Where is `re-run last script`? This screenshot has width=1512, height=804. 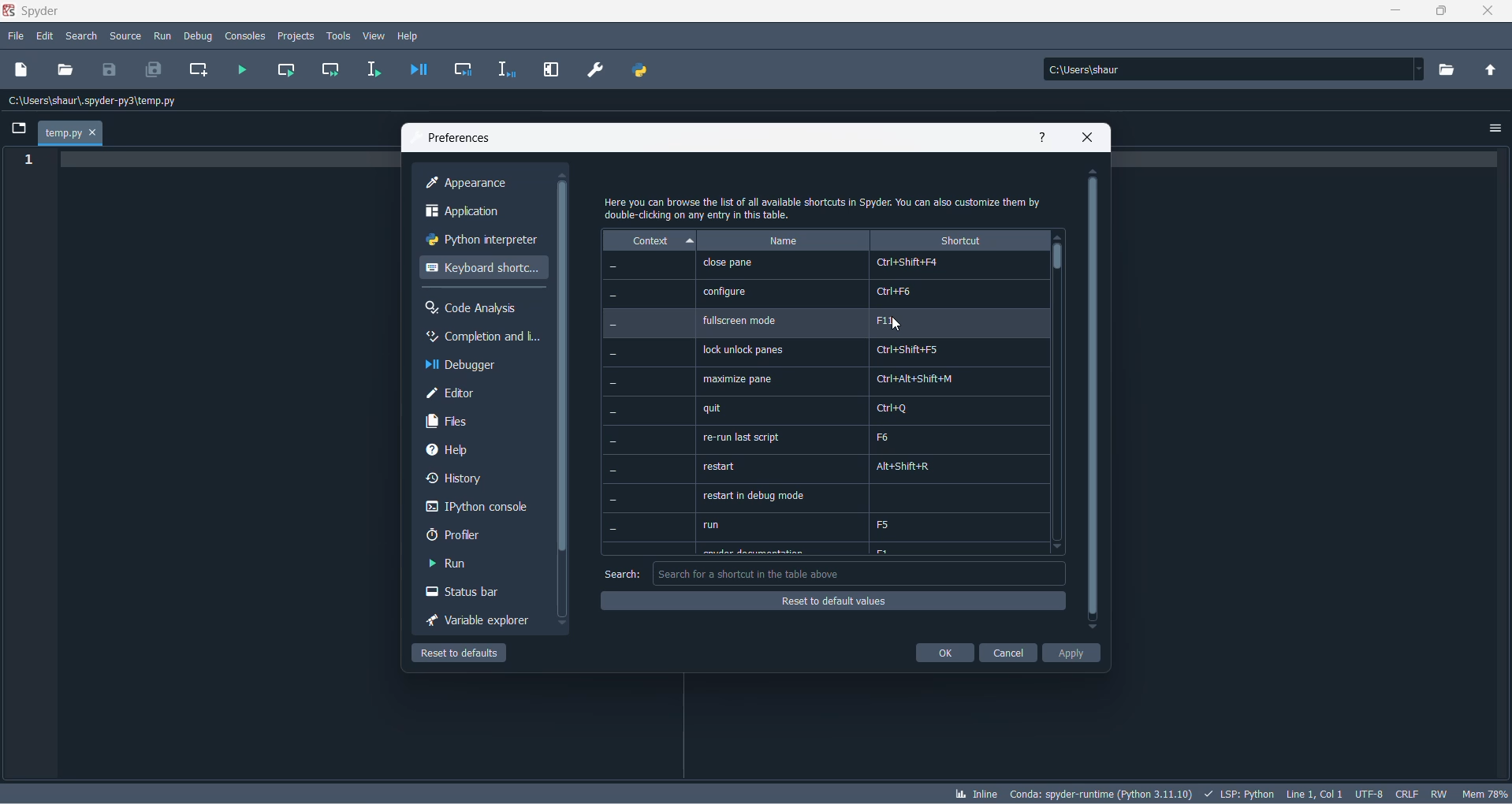
re-run last script is located at coordinates (739, 438).